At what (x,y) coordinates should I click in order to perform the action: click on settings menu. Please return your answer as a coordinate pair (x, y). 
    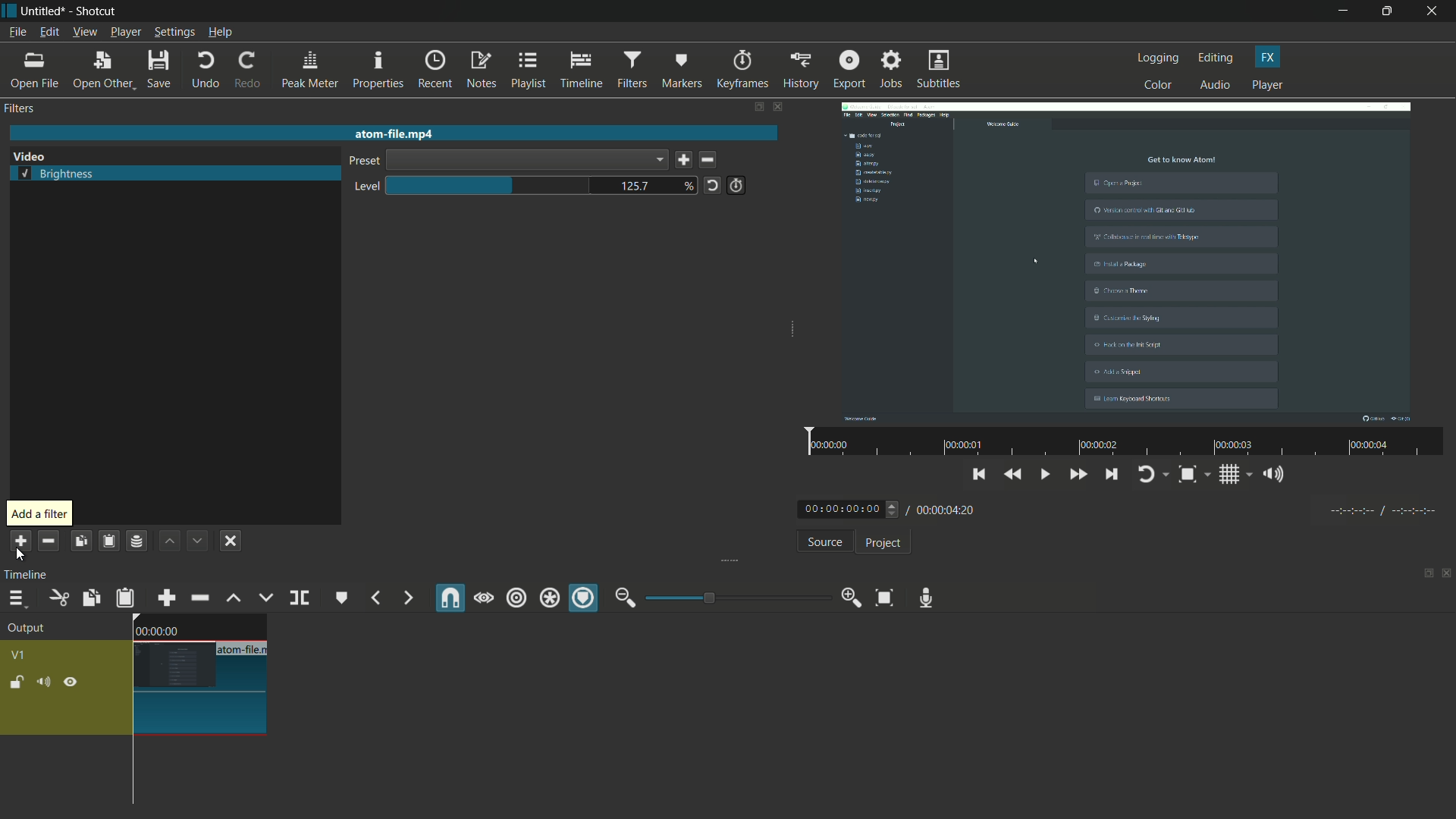
    Looking at the image, I should click on (175, 33).